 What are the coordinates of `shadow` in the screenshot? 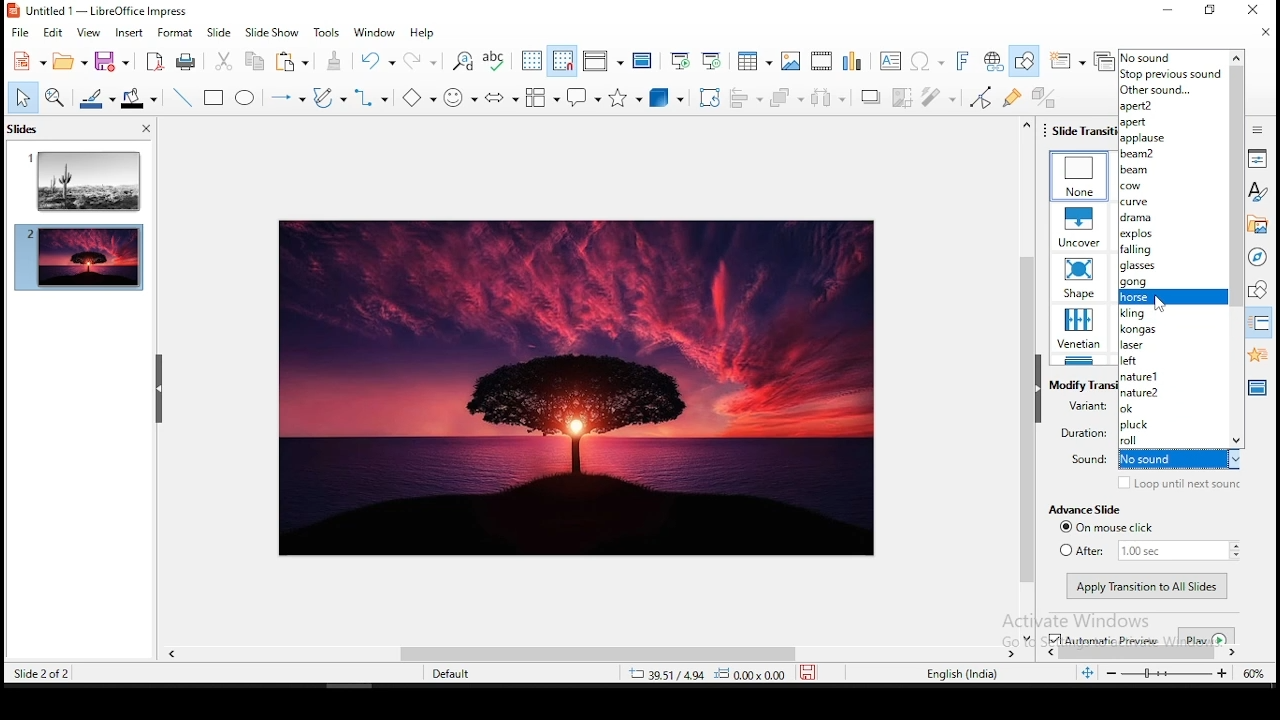 It's located at (870, 97).